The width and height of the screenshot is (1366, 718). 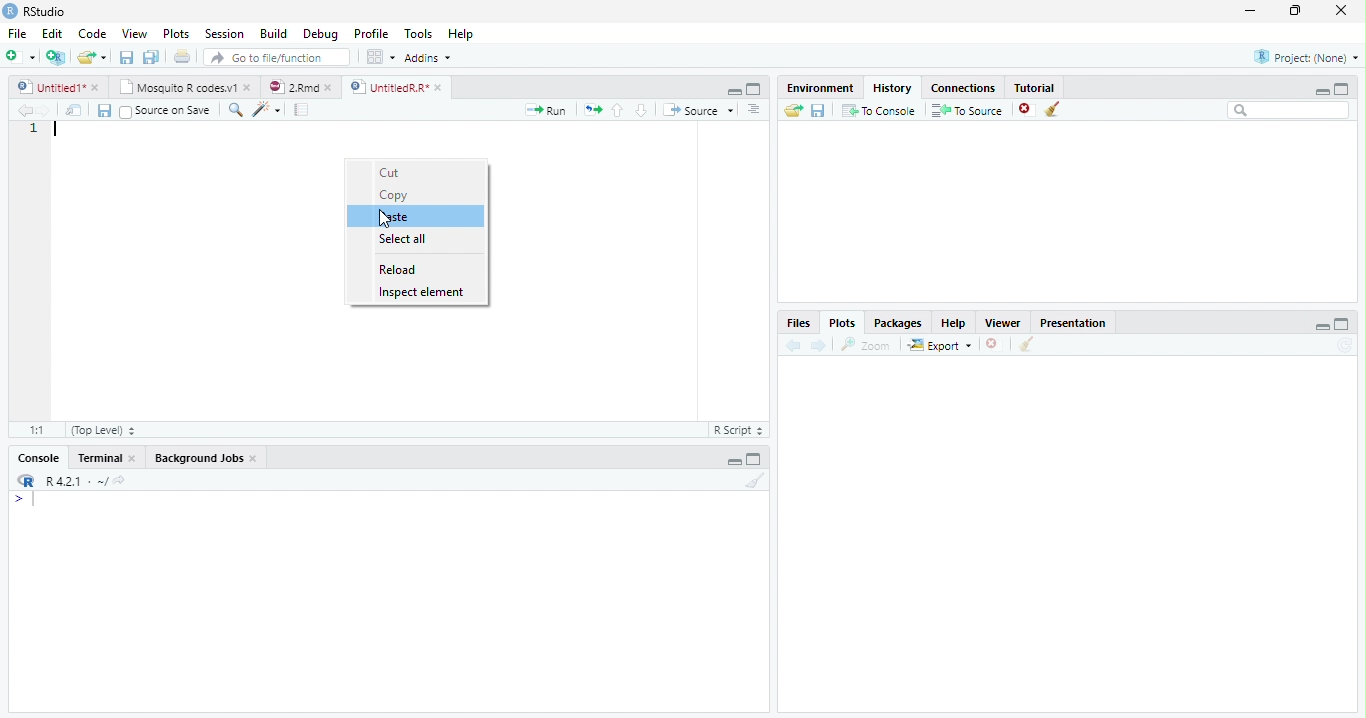 What do you see at coordinates (642, 111) in the screenshot?
I see `Down` at bounding box center [642, 111].